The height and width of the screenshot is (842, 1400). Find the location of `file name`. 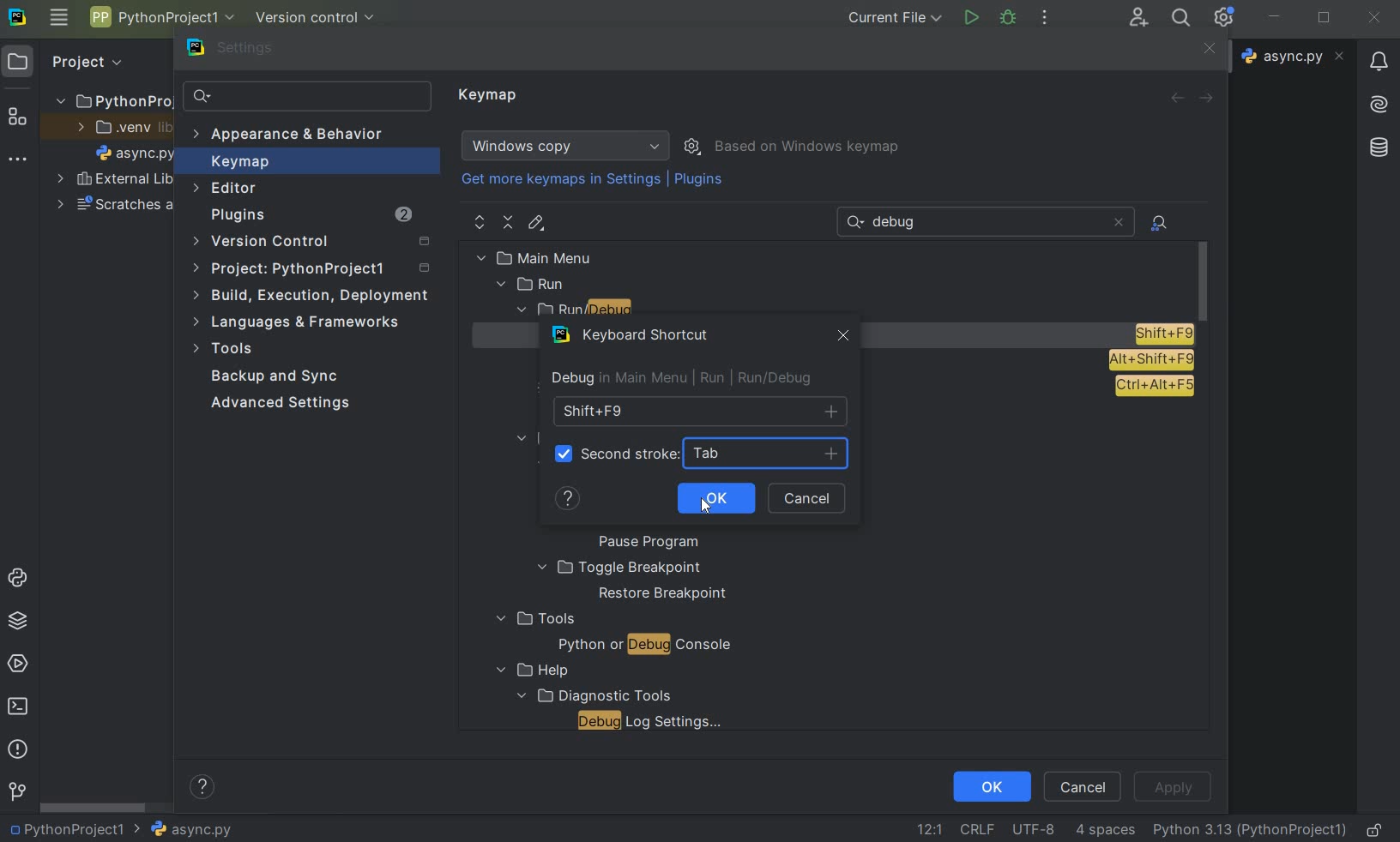

file name is located at coordinates (183, 829).